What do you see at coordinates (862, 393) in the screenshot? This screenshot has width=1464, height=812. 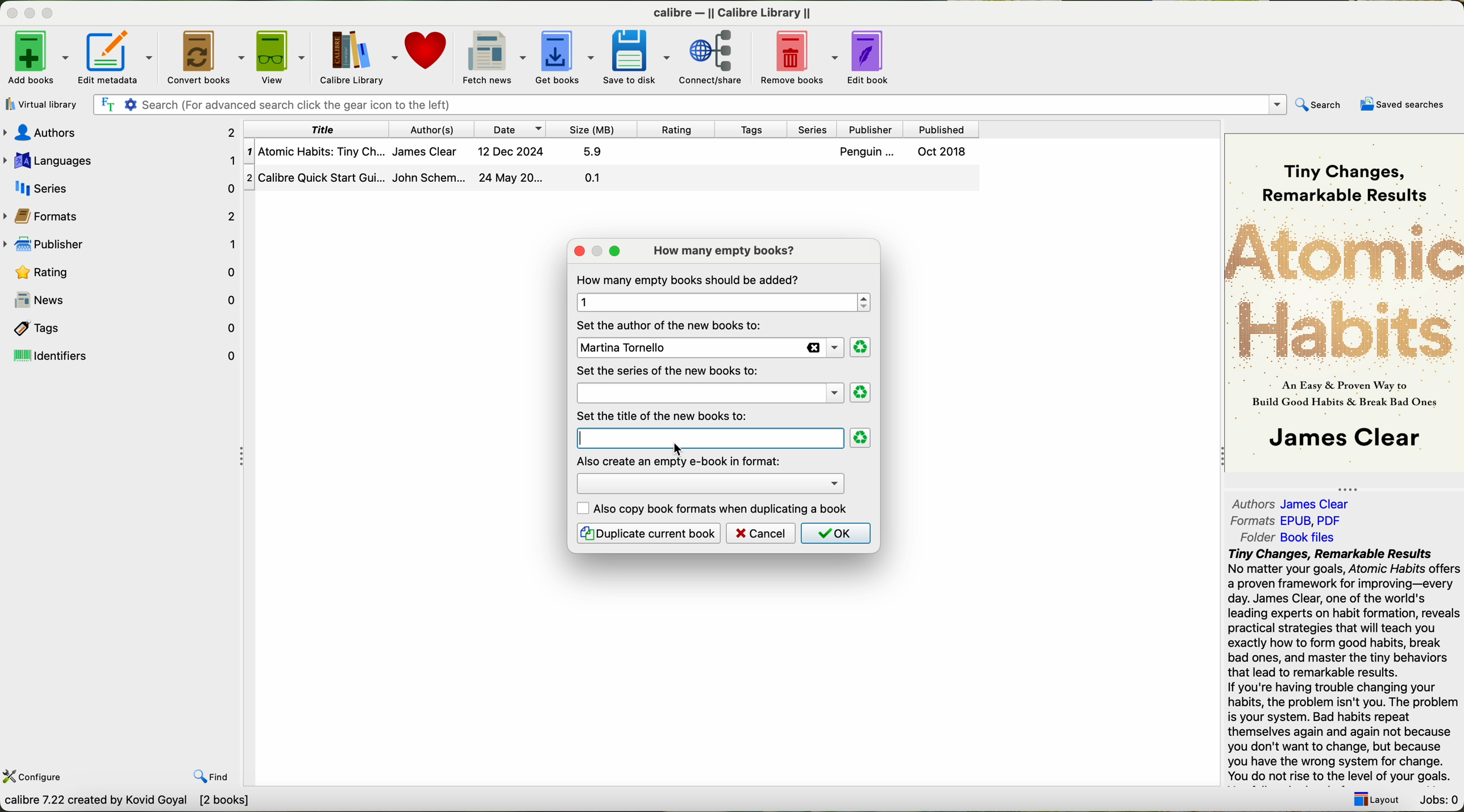 I see `clear` at bounding box center [862, 393].